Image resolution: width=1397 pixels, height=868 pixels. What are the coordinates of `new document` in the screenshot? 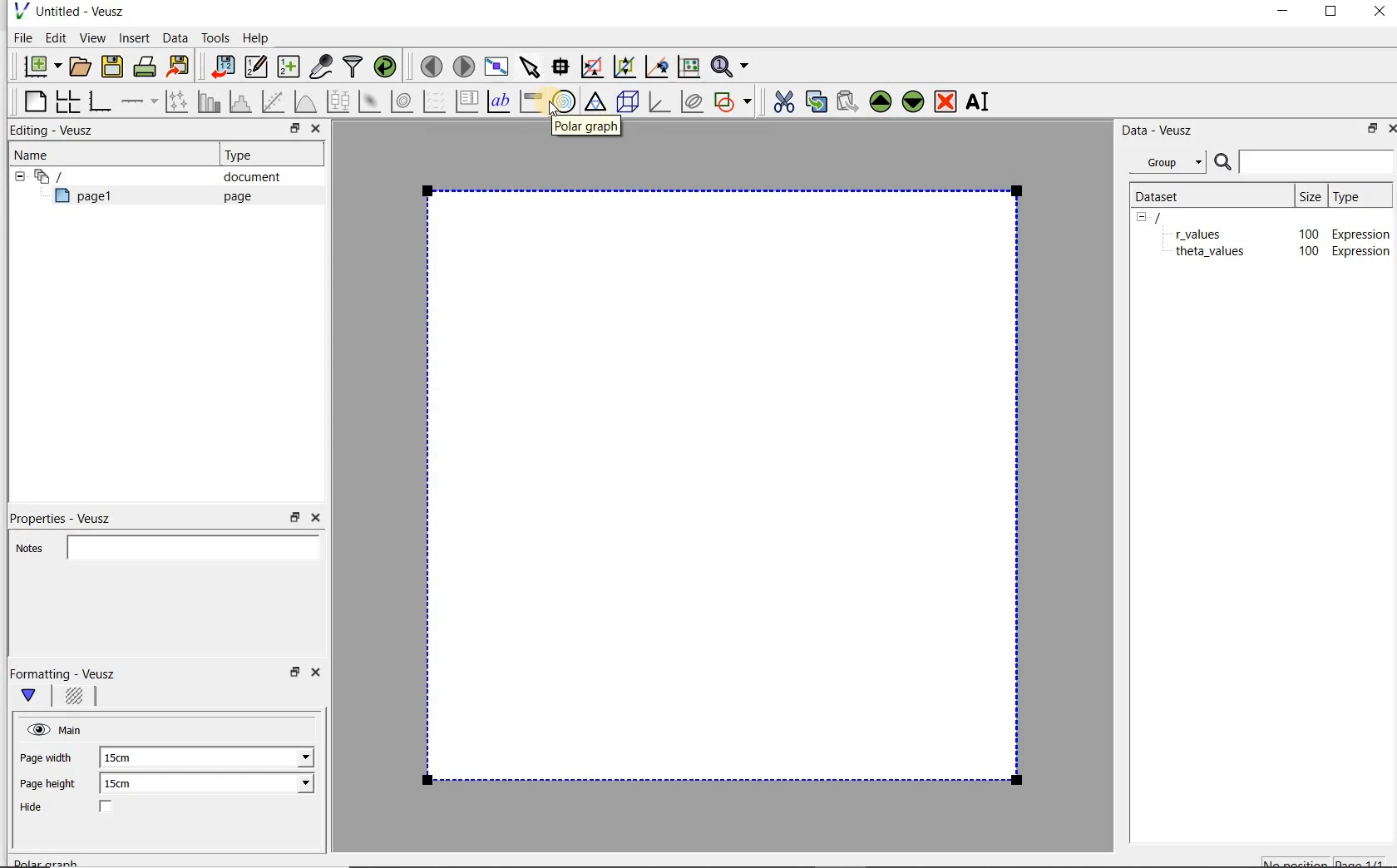 It's located at (38, 64).